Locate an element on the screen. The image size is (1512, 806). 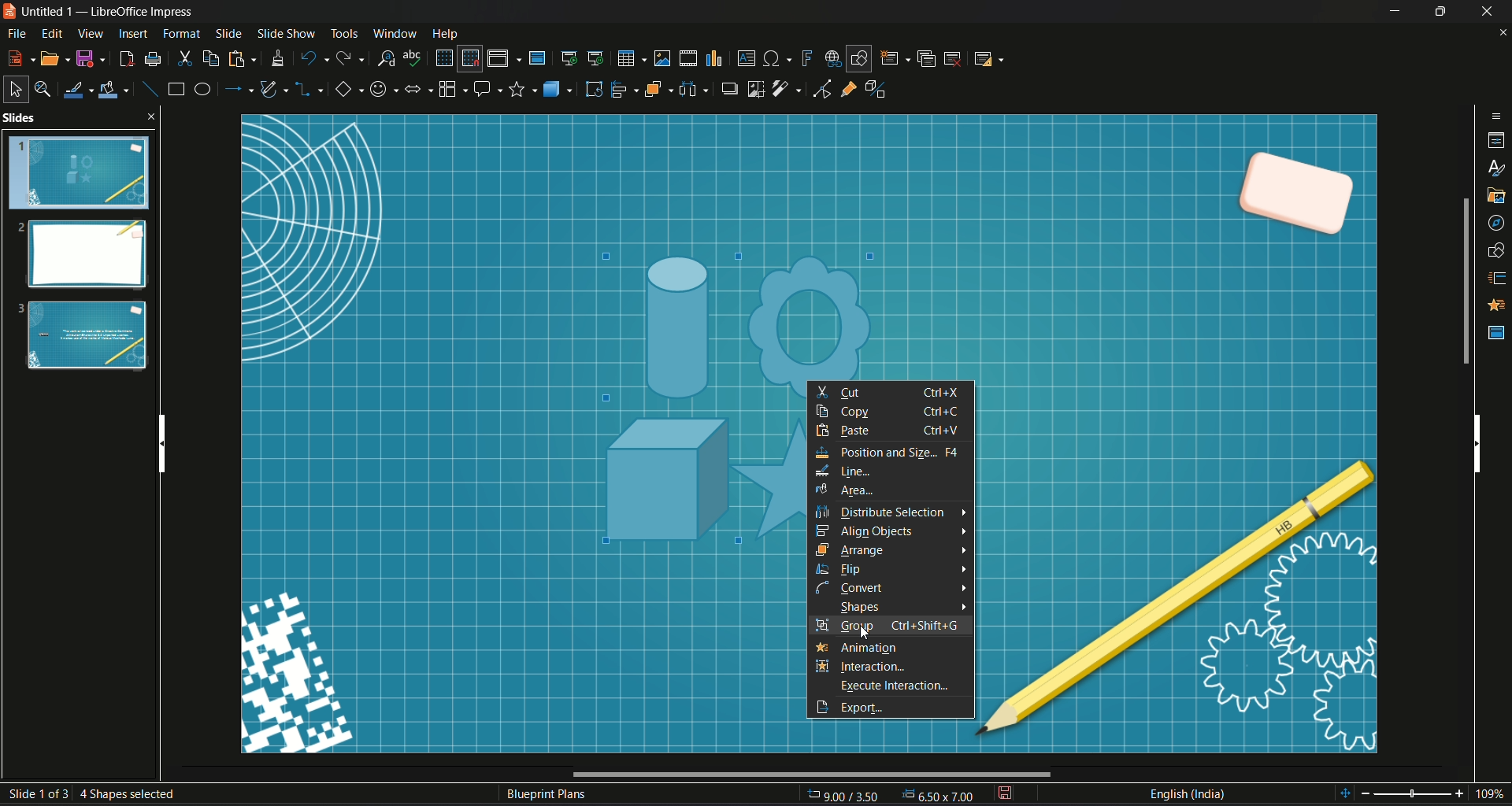
line color is located at coordinates (77, 90).